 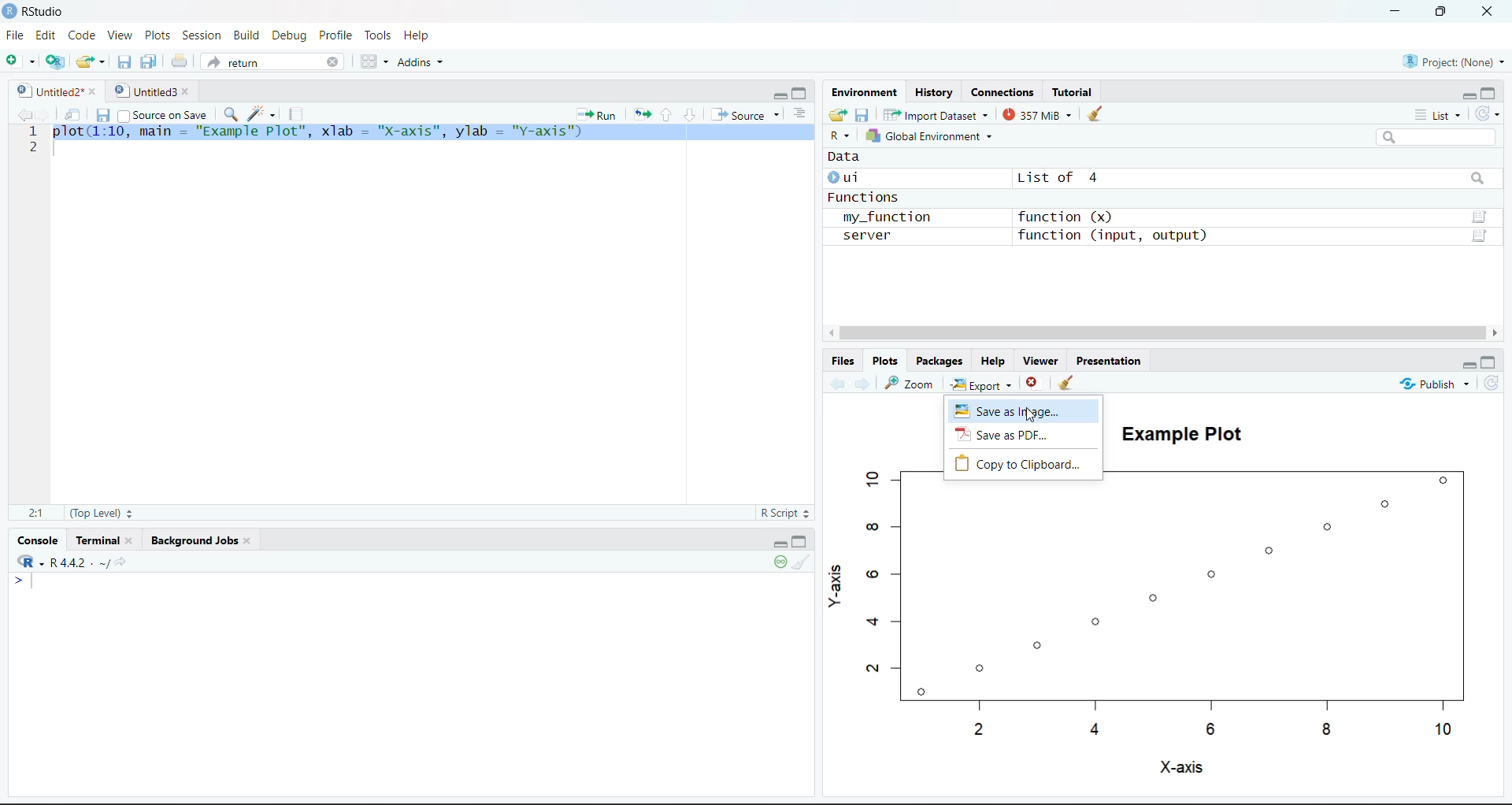 I want to click on Open an existing file (Ctrl + O), so click(x=89, y=62).